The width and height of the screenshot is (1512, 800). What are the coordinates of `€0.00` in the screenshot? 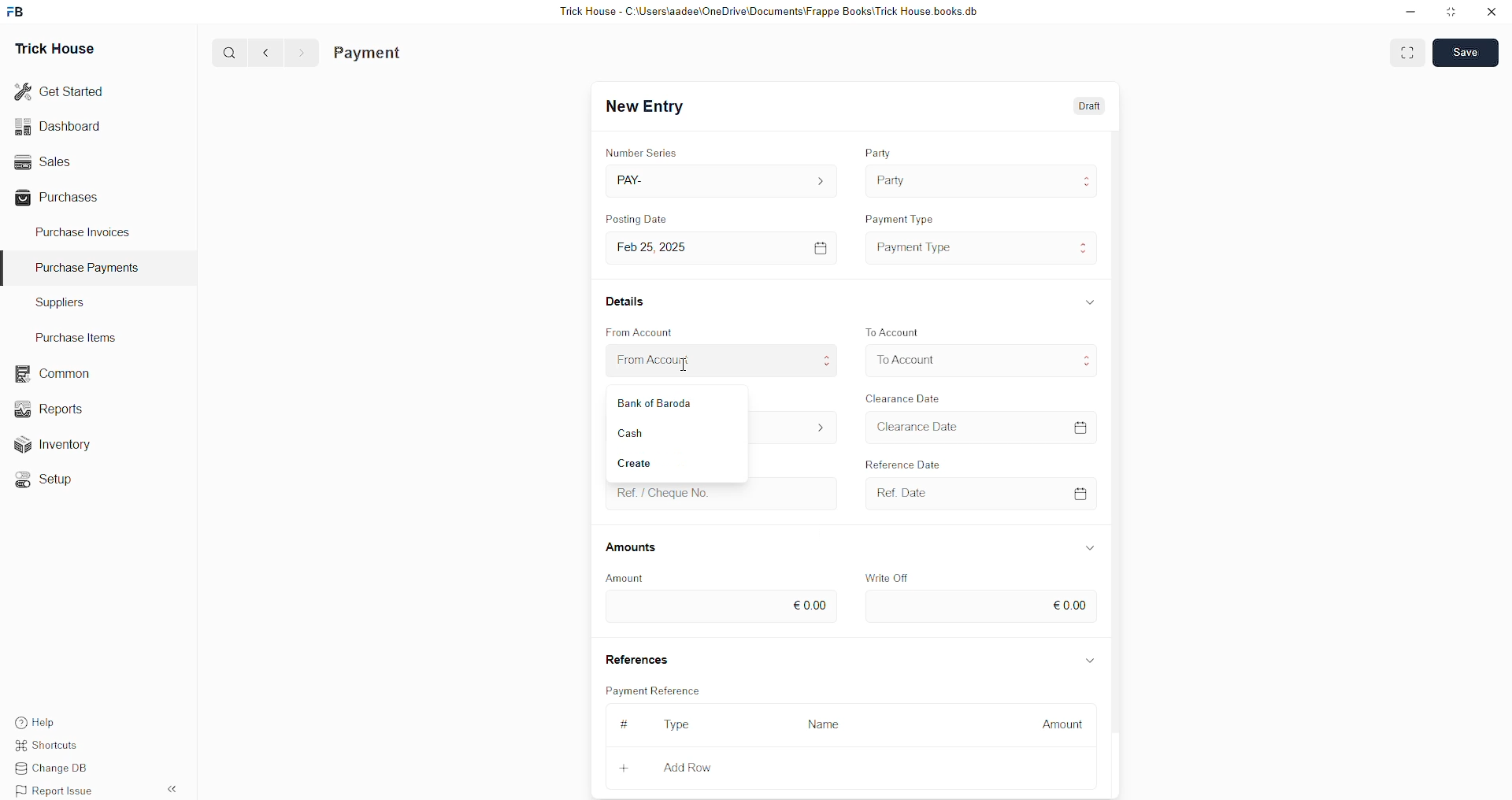 It's located at (810, 602).